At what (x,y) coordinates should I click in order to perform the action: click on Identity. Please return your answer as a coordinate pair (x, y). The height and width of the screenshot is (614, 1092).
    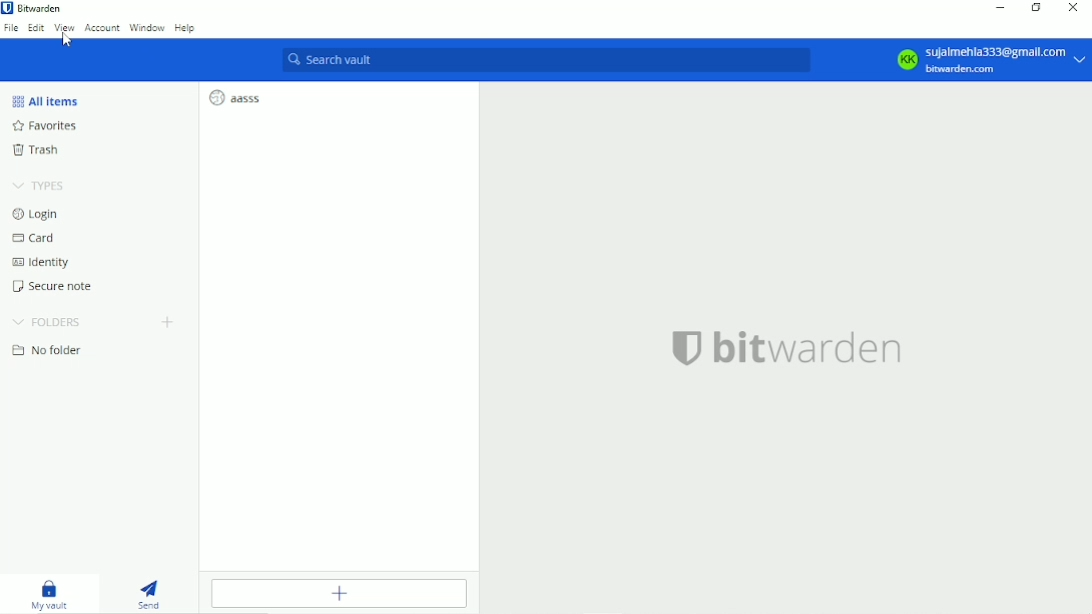
    Looking at the image, I should click on (45, 261).